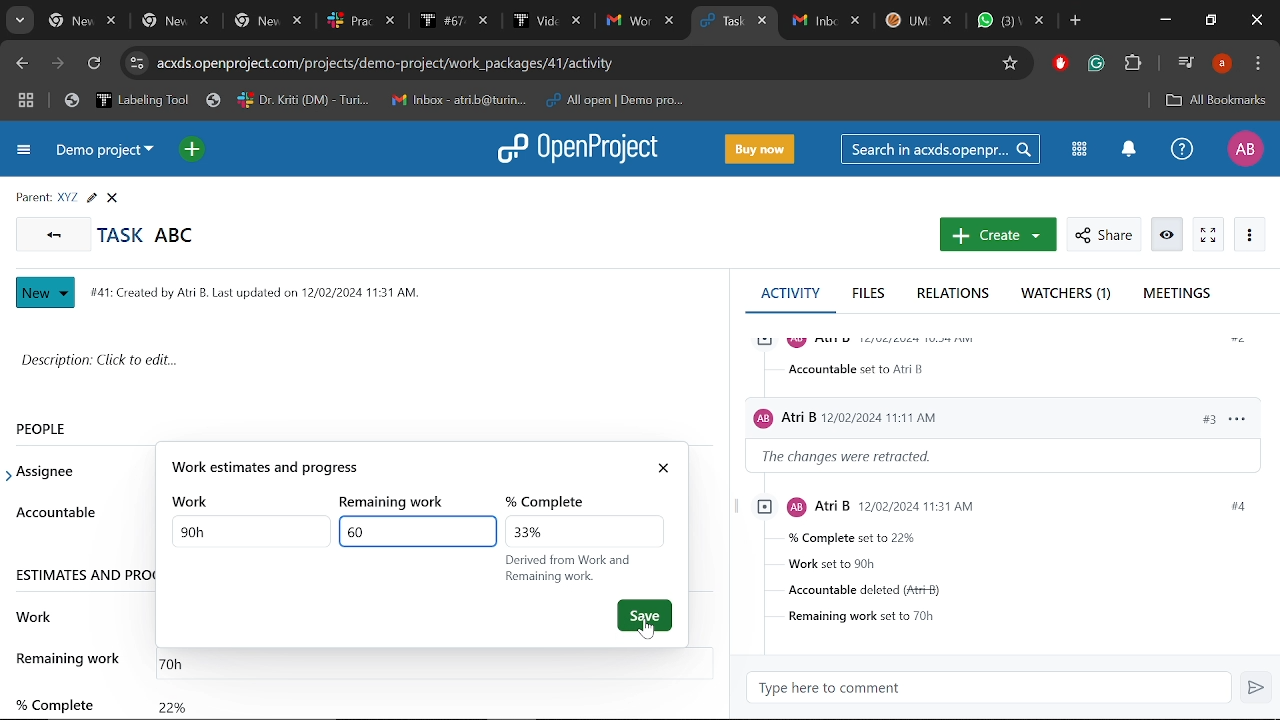 The width and height of the screenshot is (1280, 720). What do you see at coordinates (1184, 62) in the screenshot?
I see `Control audio/video` at bounding box center [1184, 62].